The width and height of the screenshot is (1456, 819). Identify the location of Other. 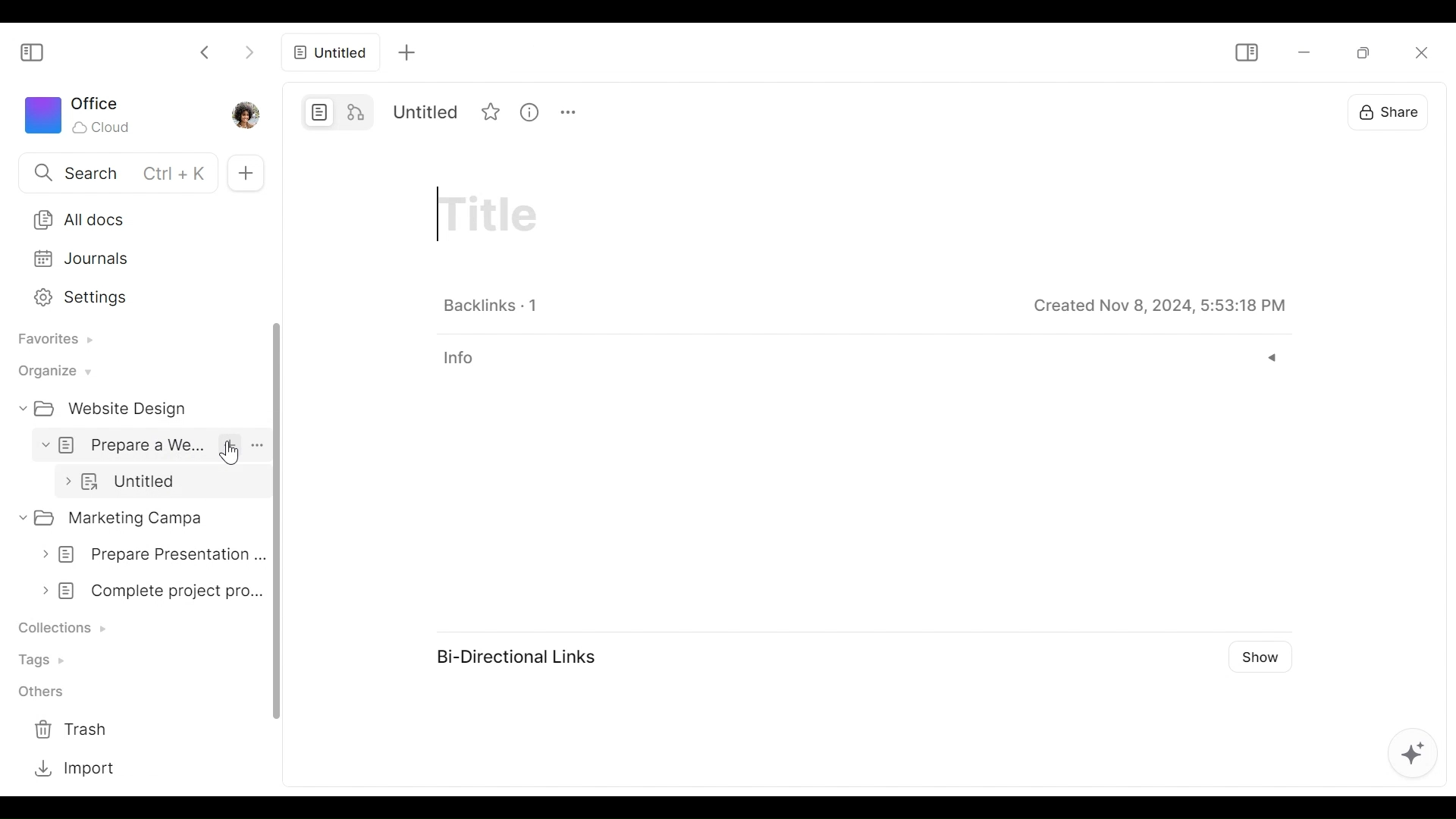
(47, 691).